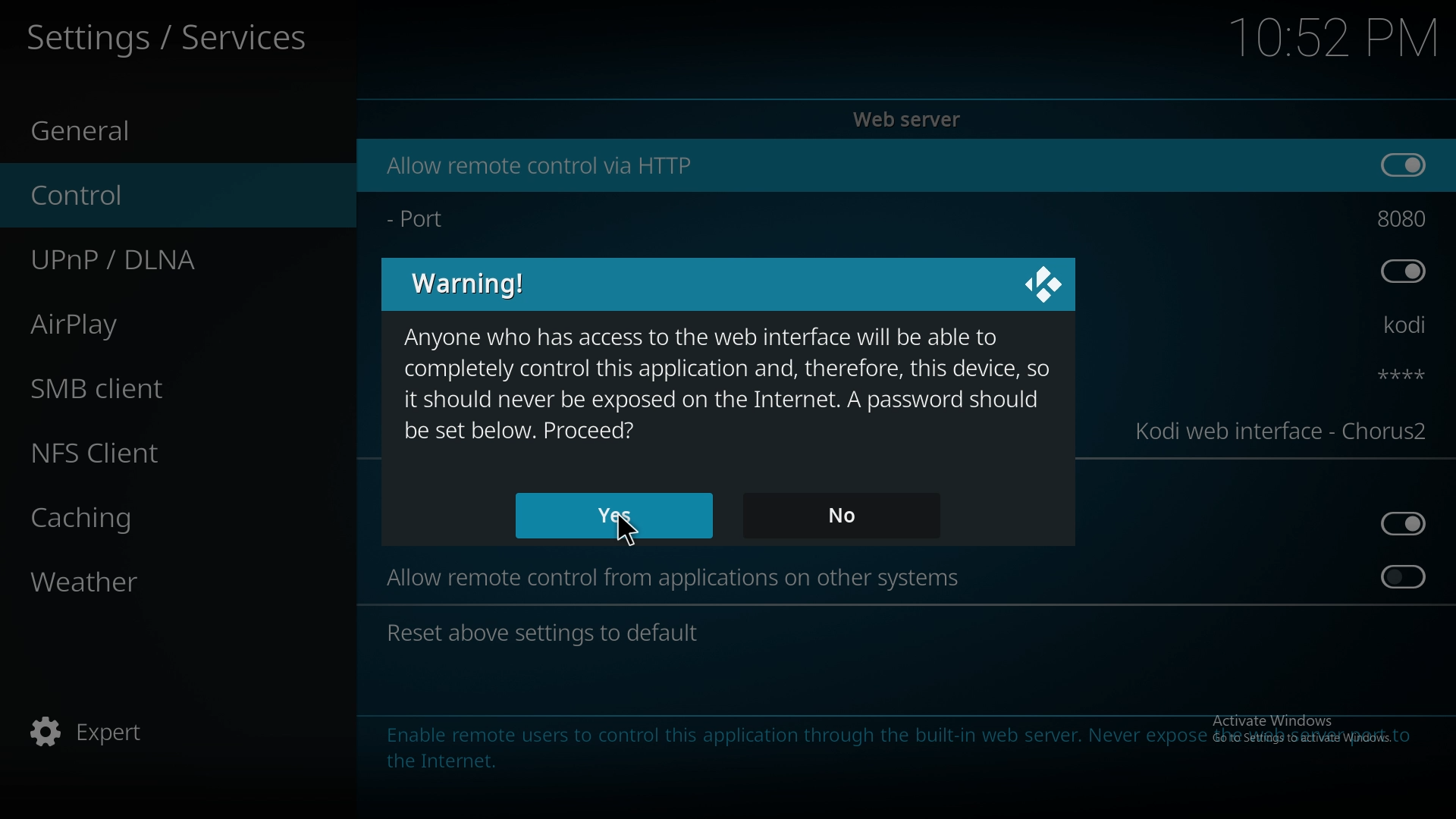 This screenshot has height=819, width=1456. What do you see at coordinates (1406, 576) in the screenshot?
I see `toggle` at bounding box center [1406, 576].